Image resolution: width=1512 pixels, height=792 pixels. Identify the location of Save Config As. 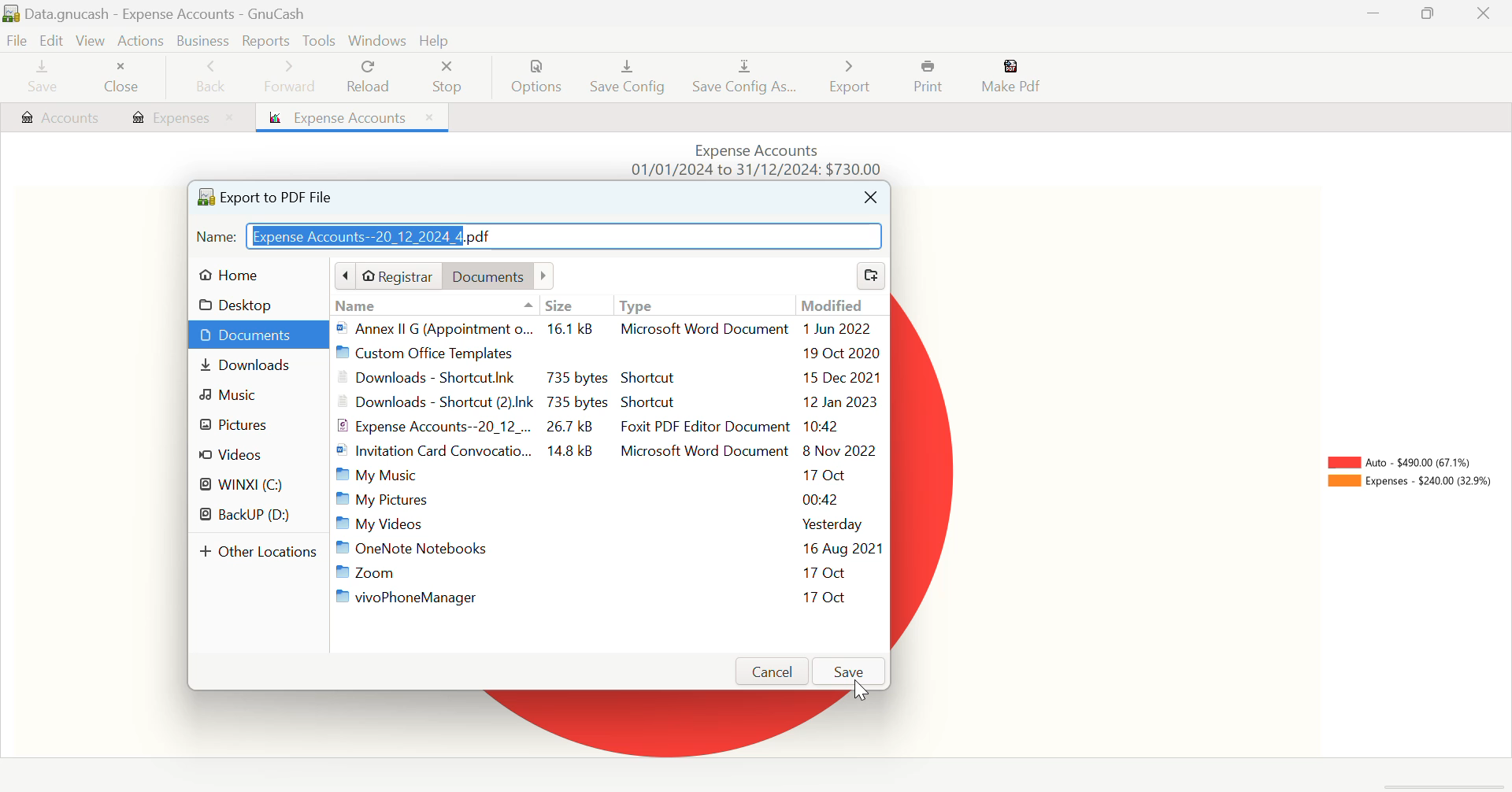
(746, 77).